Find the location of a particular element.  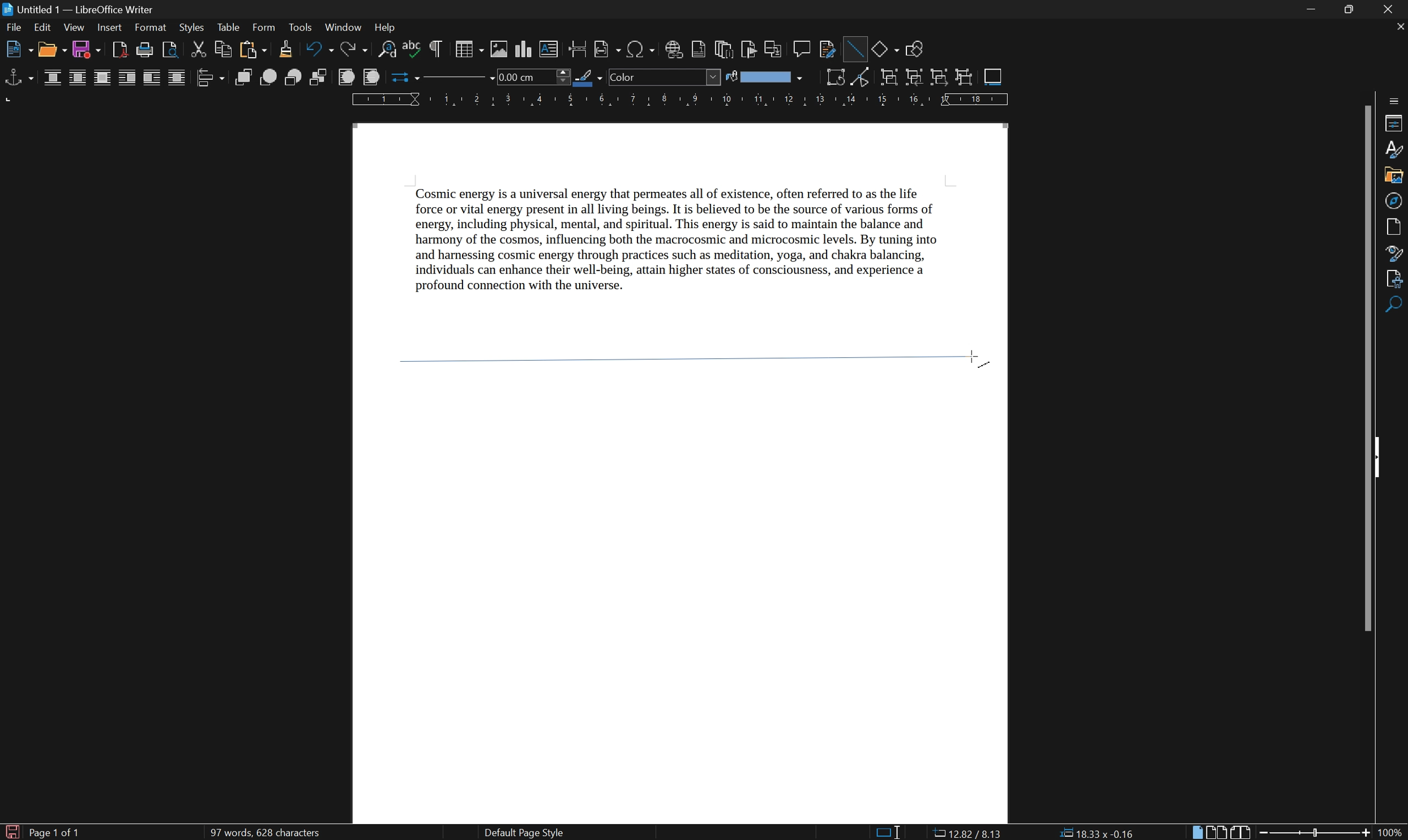

parallel is located at coordinates (79, 79).